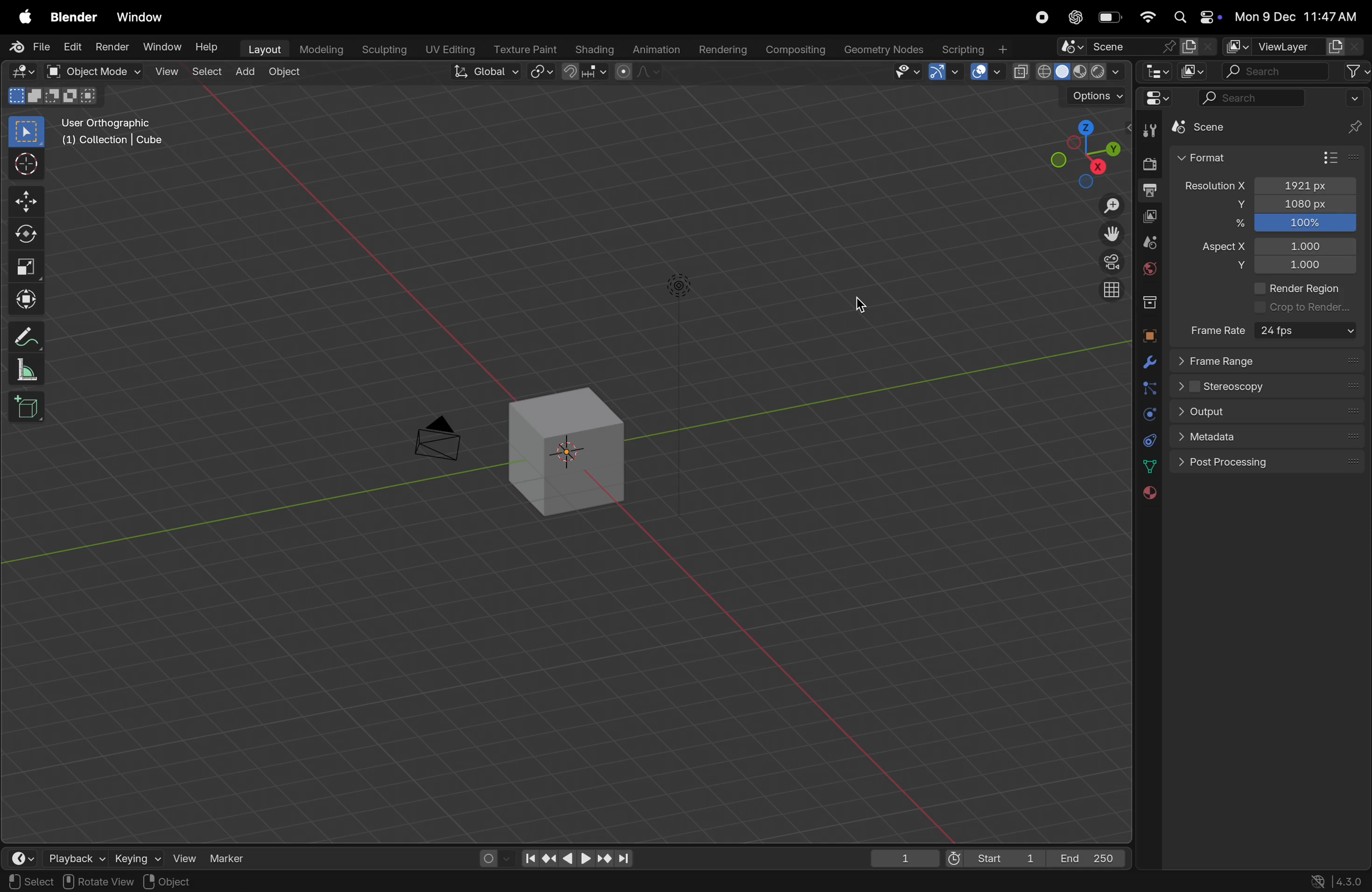  What do you see at coordinates (26, 298) in the screenshot?
I see `trasform` at bounding box center [26, 298].